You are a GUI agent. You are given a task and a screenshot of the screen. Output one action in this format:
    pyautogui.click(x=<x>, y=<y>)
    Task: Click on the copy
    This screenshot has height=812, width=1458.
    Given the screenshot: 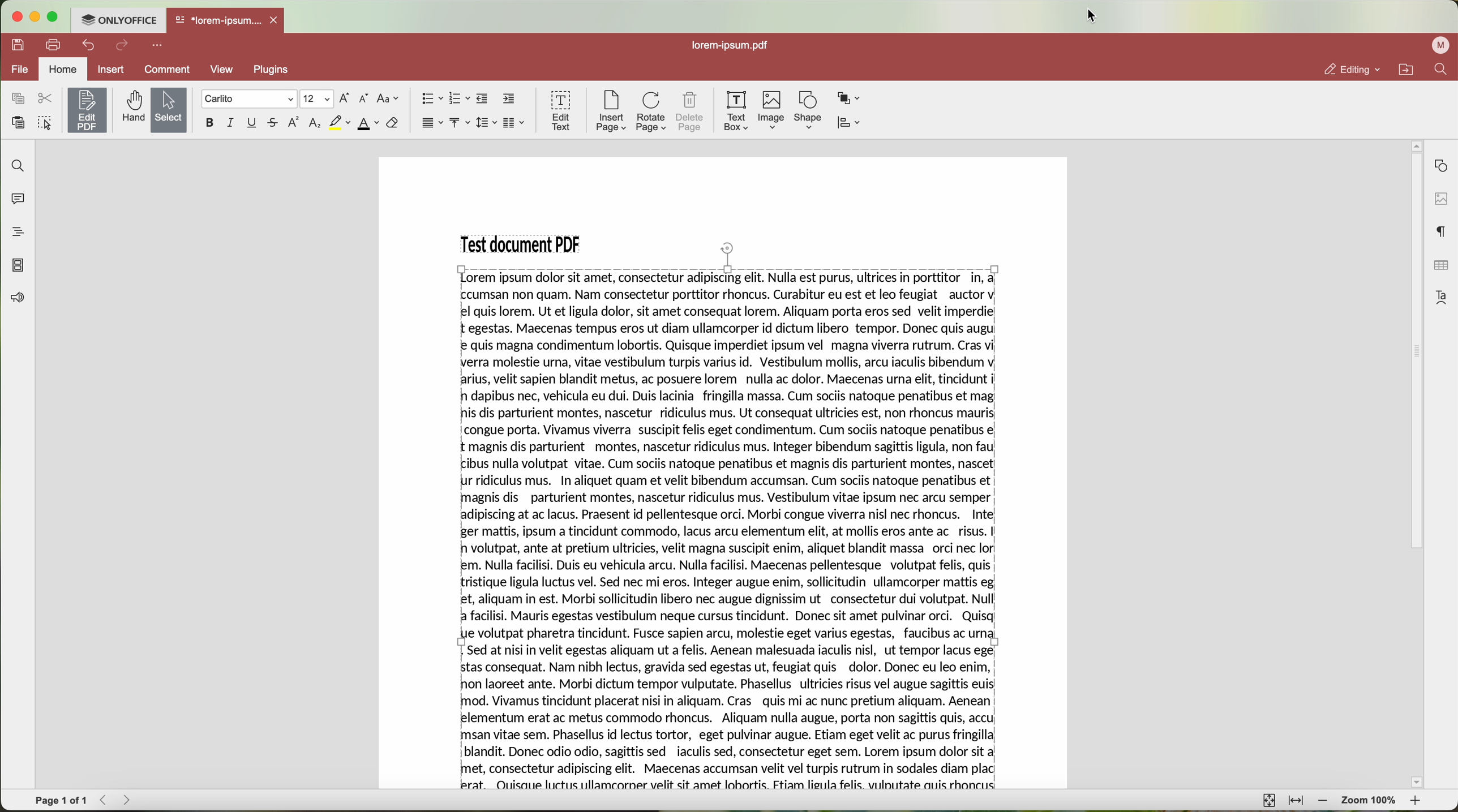 What is the action you would take?
    pyautogui.click(x=18, y=98)
    